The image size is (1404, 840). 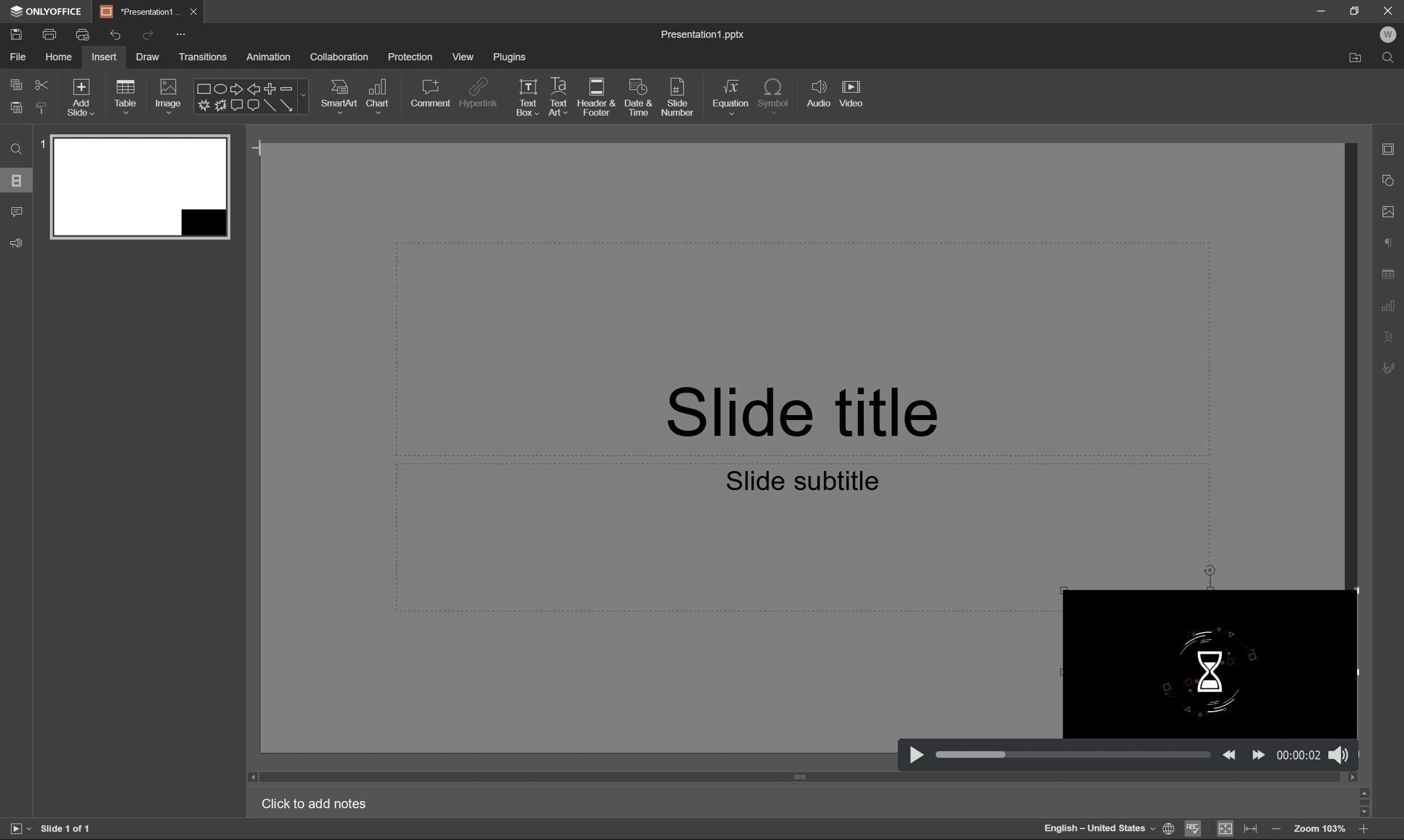 I want to click on Click to add notes, so click(x=315, y=803).